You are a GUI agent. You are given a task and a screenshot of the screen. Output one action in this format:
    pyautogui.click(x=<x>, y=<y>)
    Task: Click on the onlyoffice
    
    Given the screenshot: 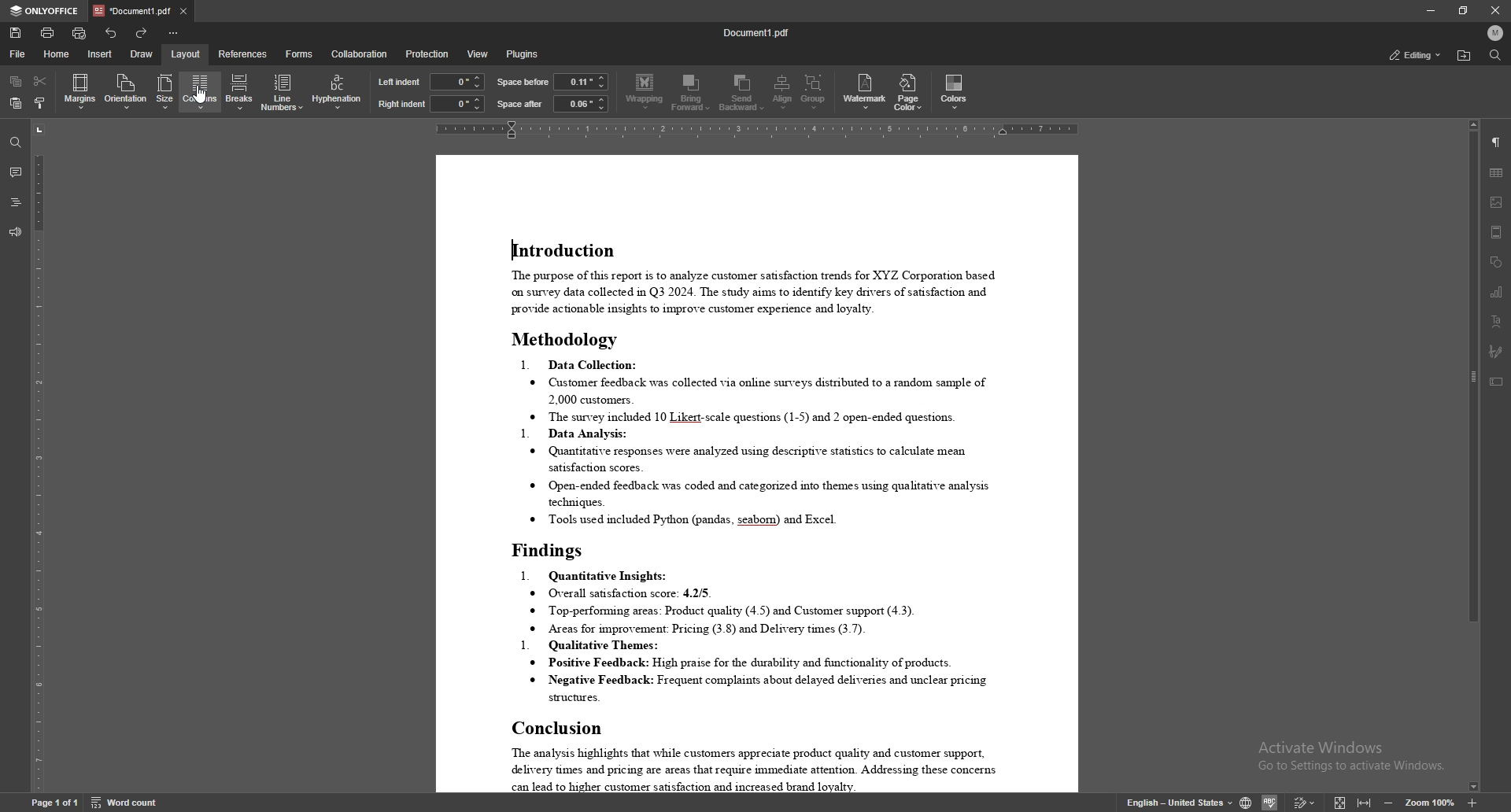 What is the action you would take?
    pyautogui.click(x=46, y=12)
    